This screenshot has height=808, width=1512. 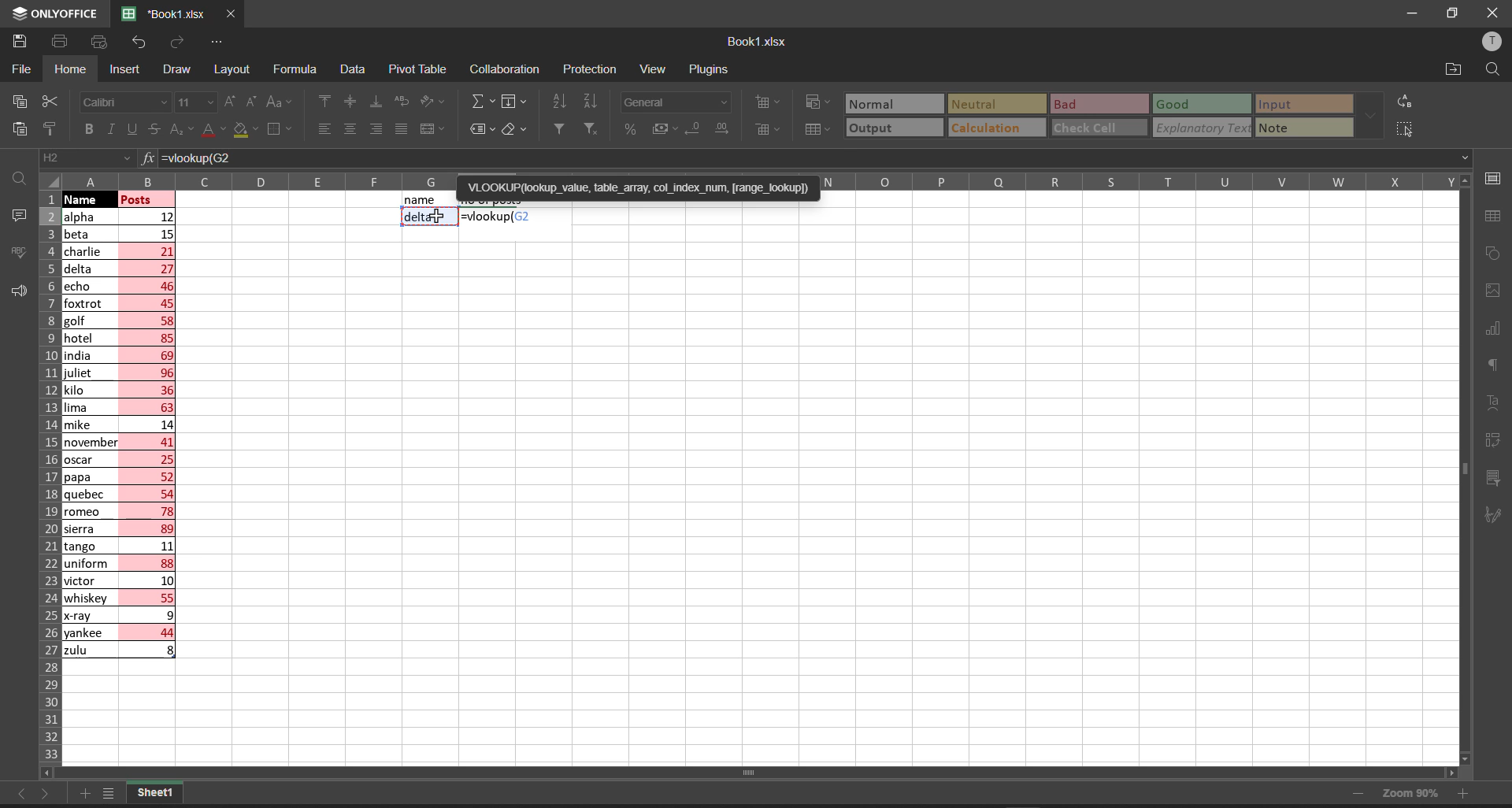 What do you see at coordinates (1494, 294) in the screenshot?
I see `image settings` at bounding box center [1494, 294].